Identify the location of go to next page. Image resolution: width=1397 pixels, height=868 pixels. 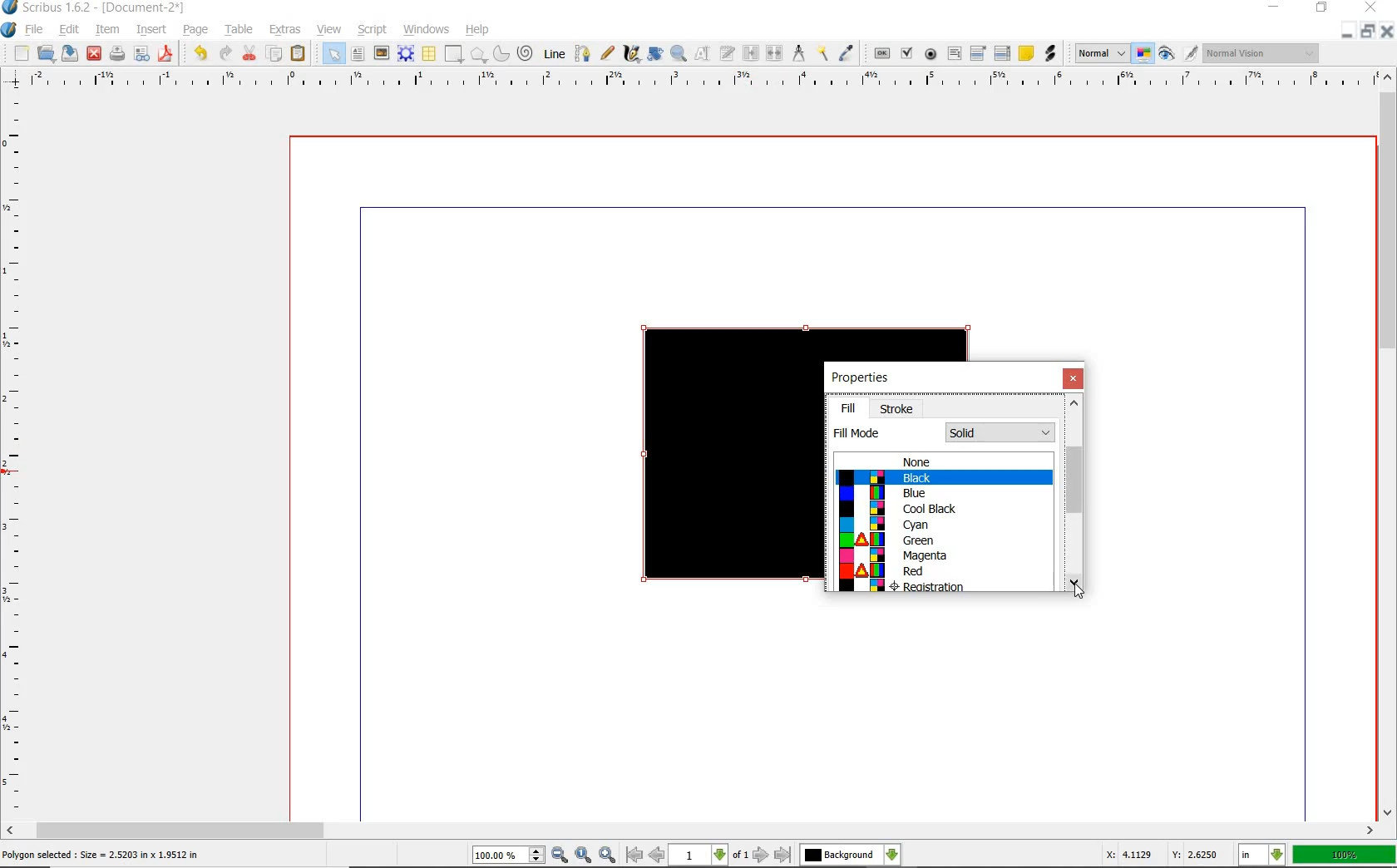
(761, 856).